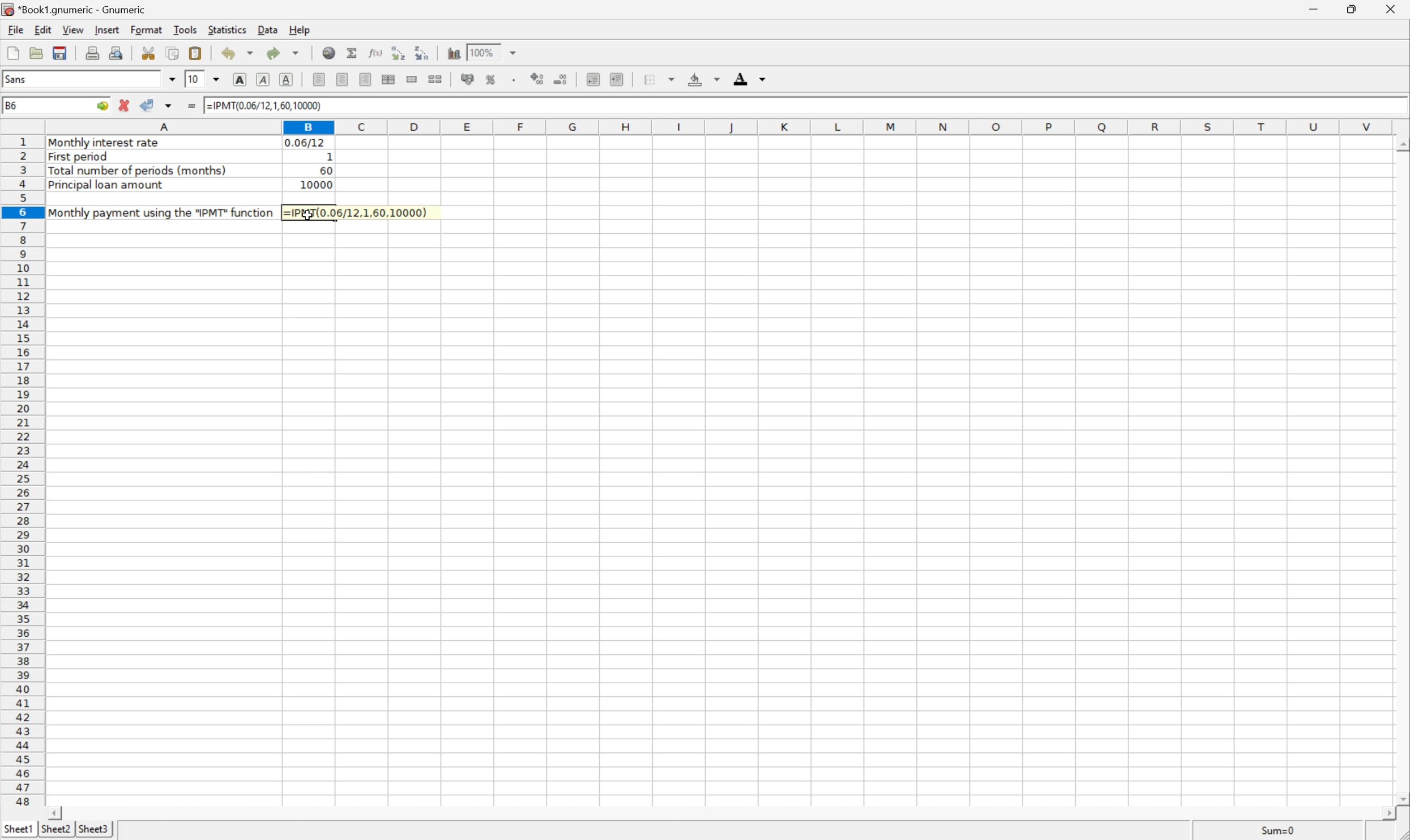 The image size is (1410, 840). What do you see at coordinates (109, 30) in the screenshot?
I see `Insert` at bounding box center [109, 30].